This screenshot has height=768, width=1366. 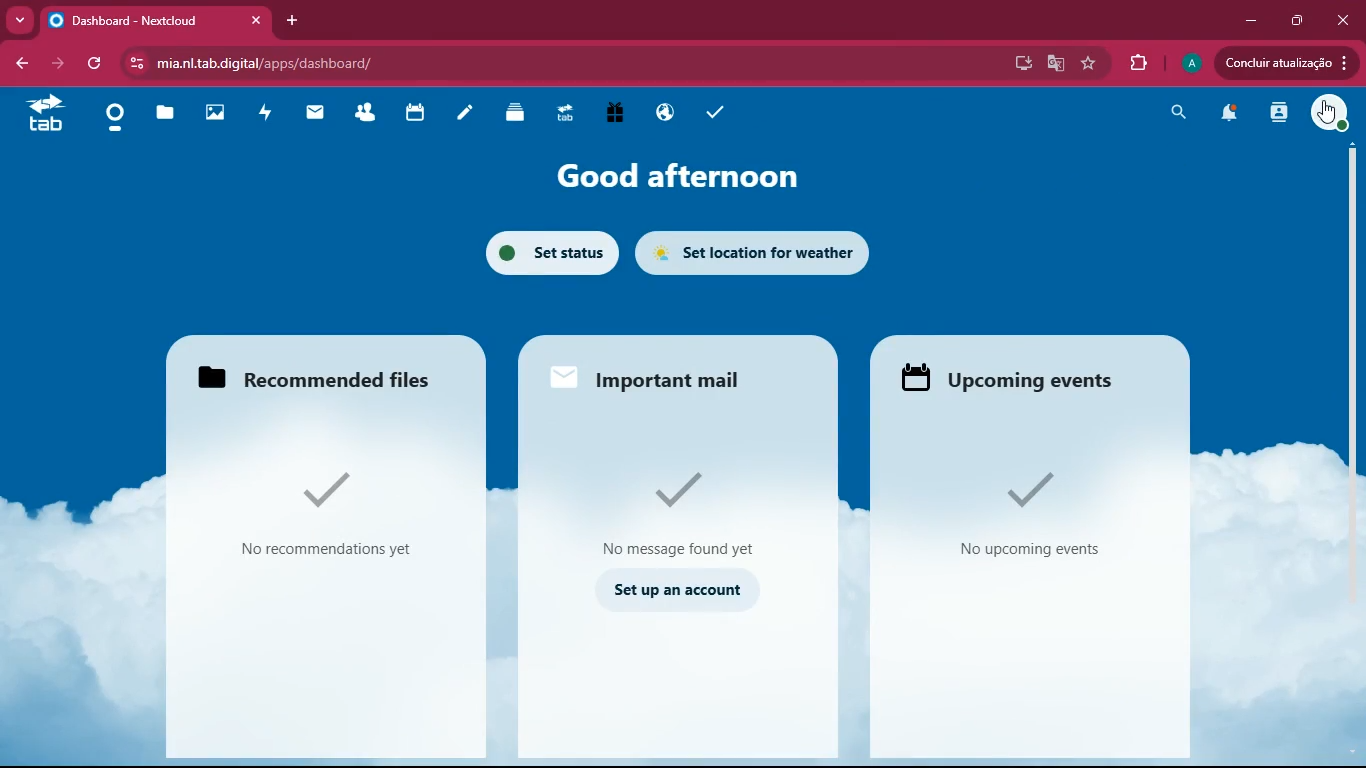 I want to click on more, so click(x=20, y=19).